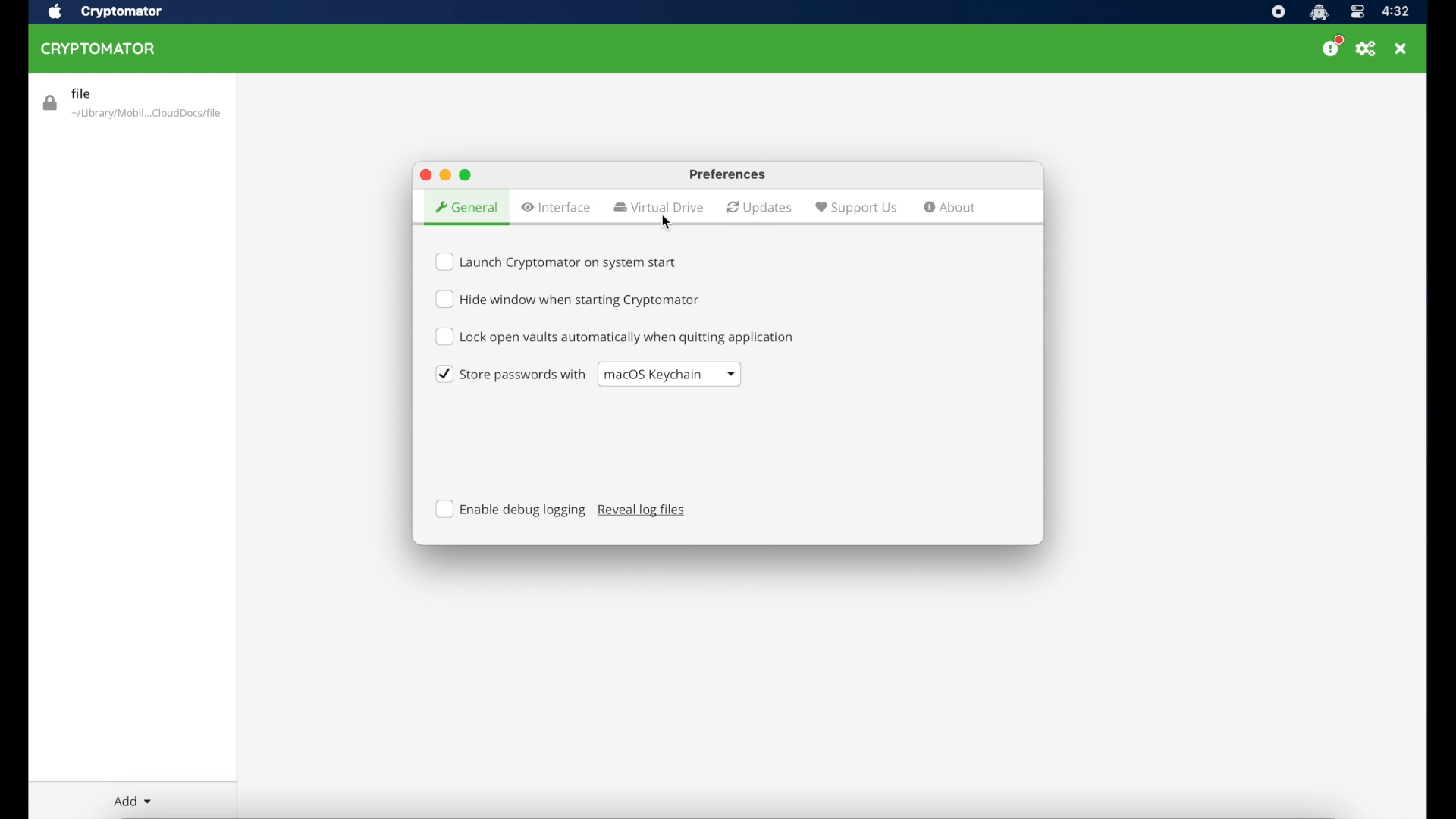  I want to click on support us, so click(855, 207).